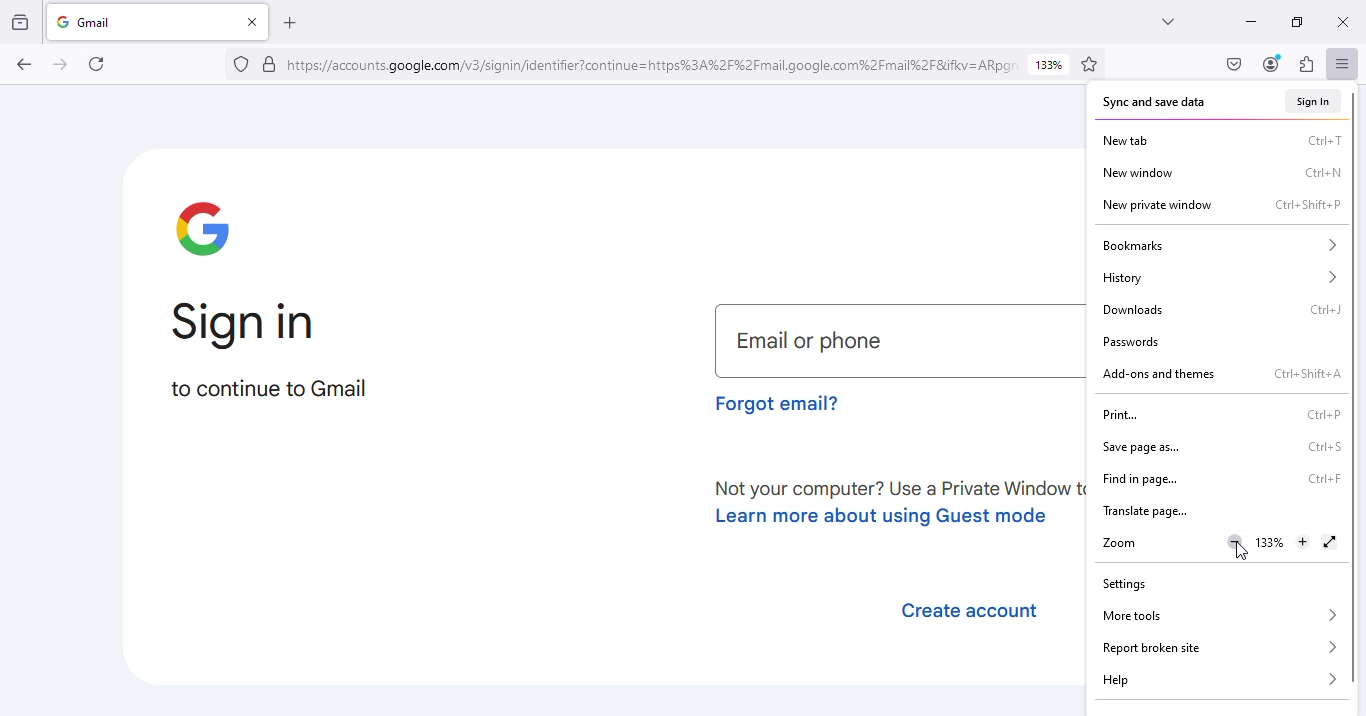 This screenshot has width=1366, height=716. What do you see at coordinates (267, 349) in the screenshot?
I see `sign in to continue to Gmail` at bounding box center [267, 349].